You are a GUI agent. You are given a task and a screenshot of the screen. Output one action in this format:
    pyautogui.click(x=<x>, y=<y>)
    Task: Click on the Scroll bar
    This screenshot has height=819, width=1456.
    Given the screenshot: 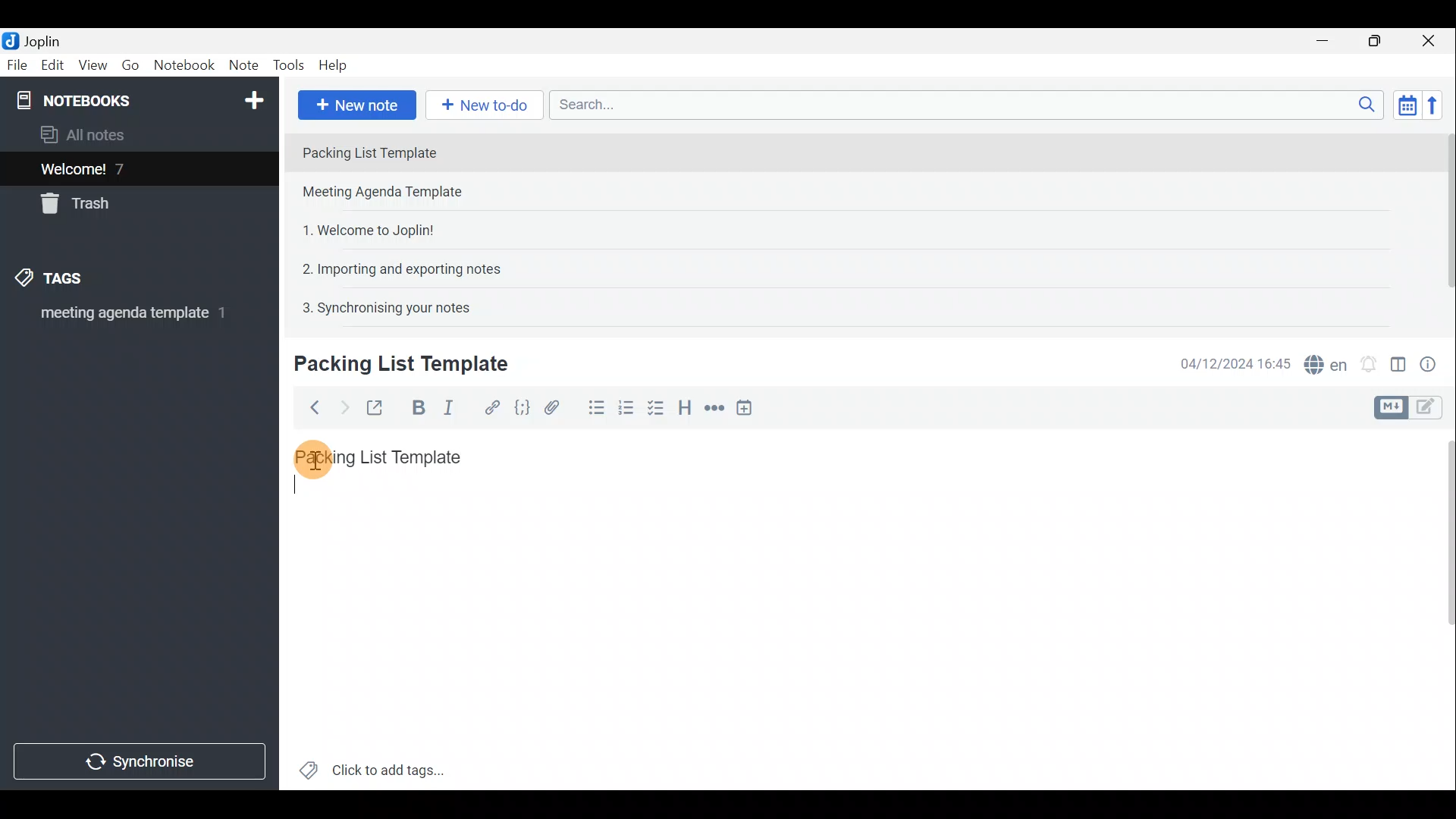 What is the action you would take?
    pyautogui.click(x=1442, y=607)
    